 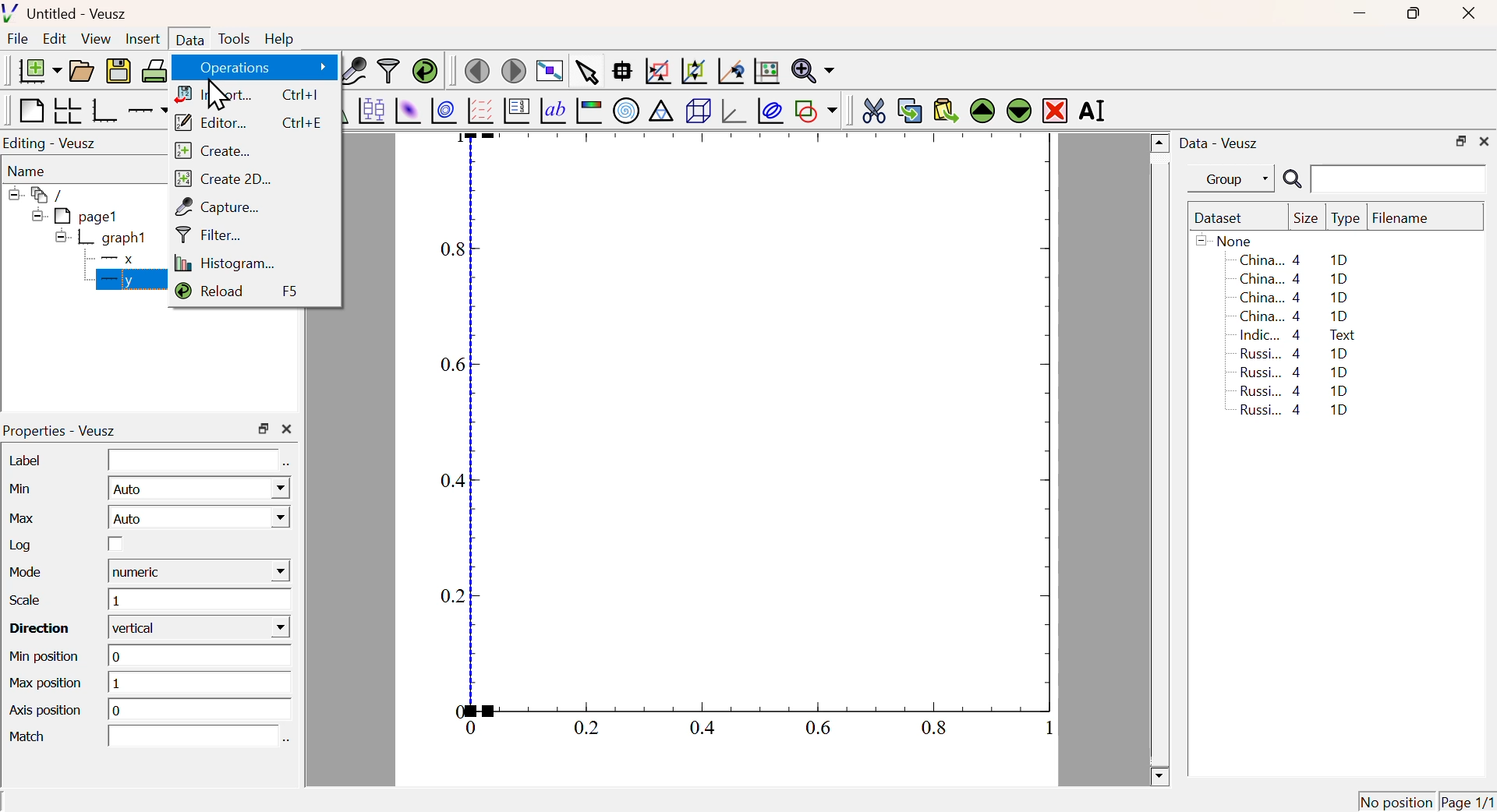 I want to click on graph1, so click(x=103, y=237).